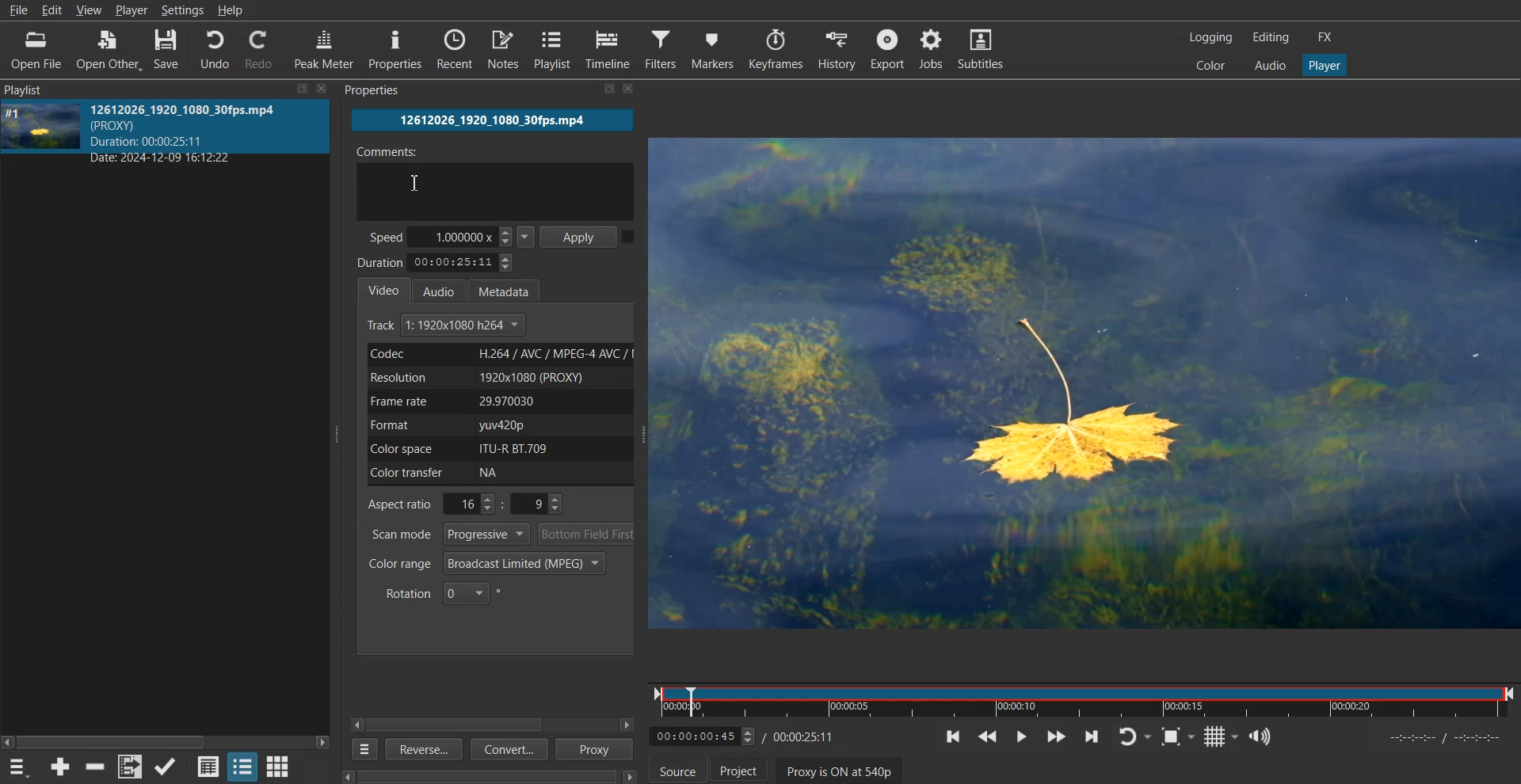 Image resolution: width=1521 pixels, height=784 pixels. What do you see at coordinates (486, 563) in the screenshot?
I see `Color range Broadcast limited` at bounding box center [486, 563].